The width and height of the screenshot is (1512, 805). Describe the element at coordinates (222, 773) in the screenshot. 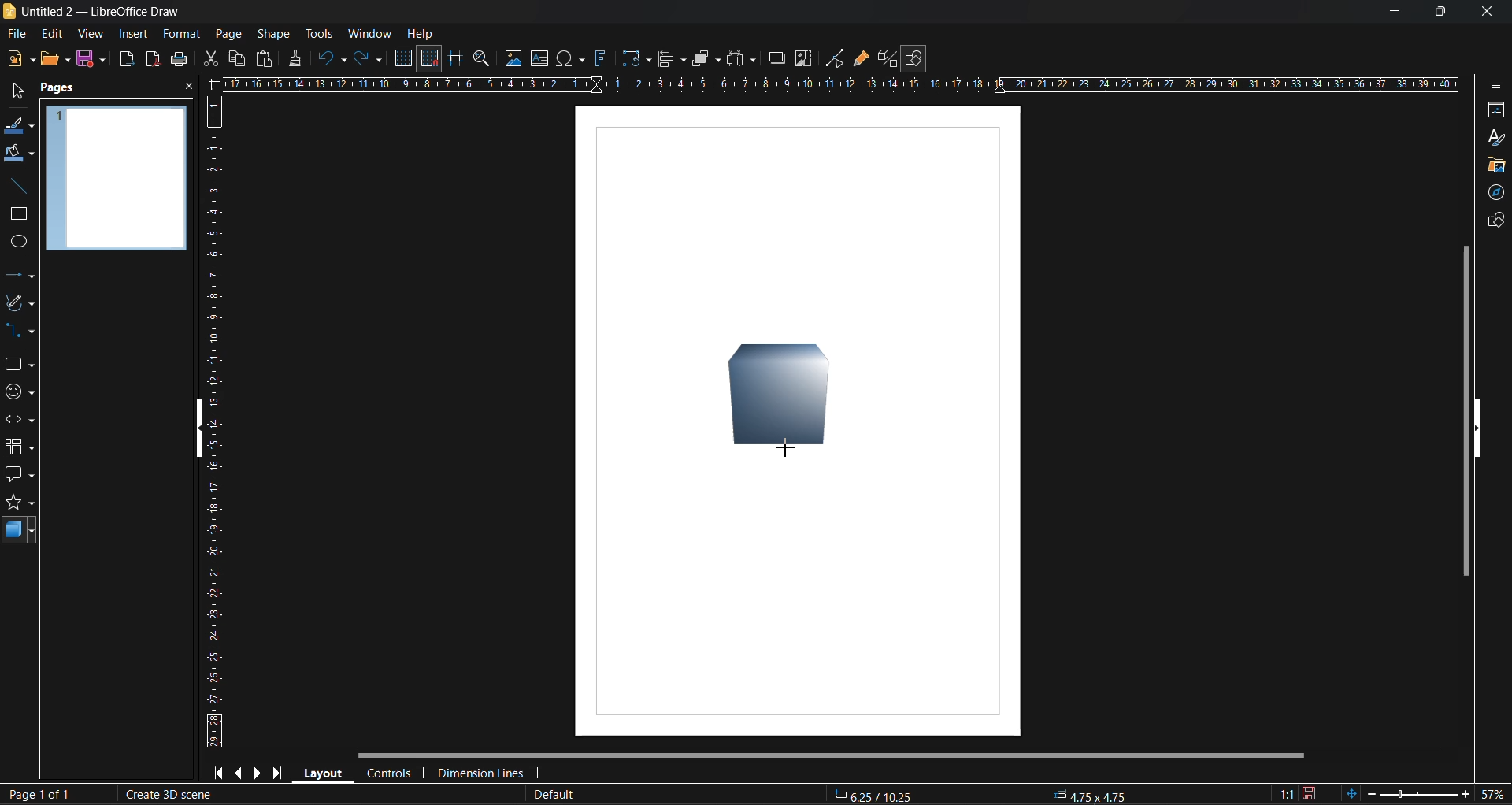

I see `first` at that location.